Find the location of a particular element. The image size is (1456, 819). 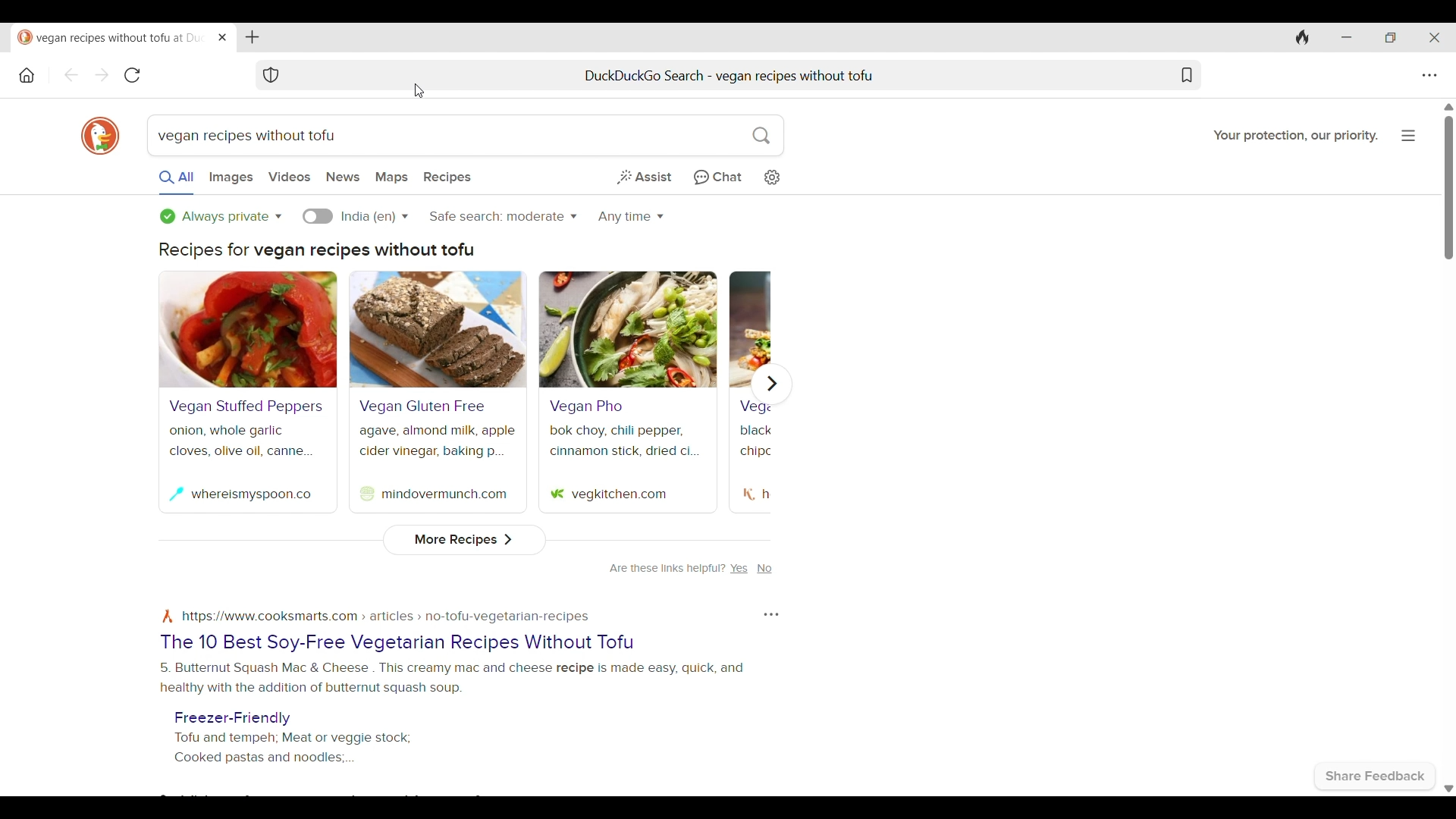

Article banner is located at coordinates (248, 329).